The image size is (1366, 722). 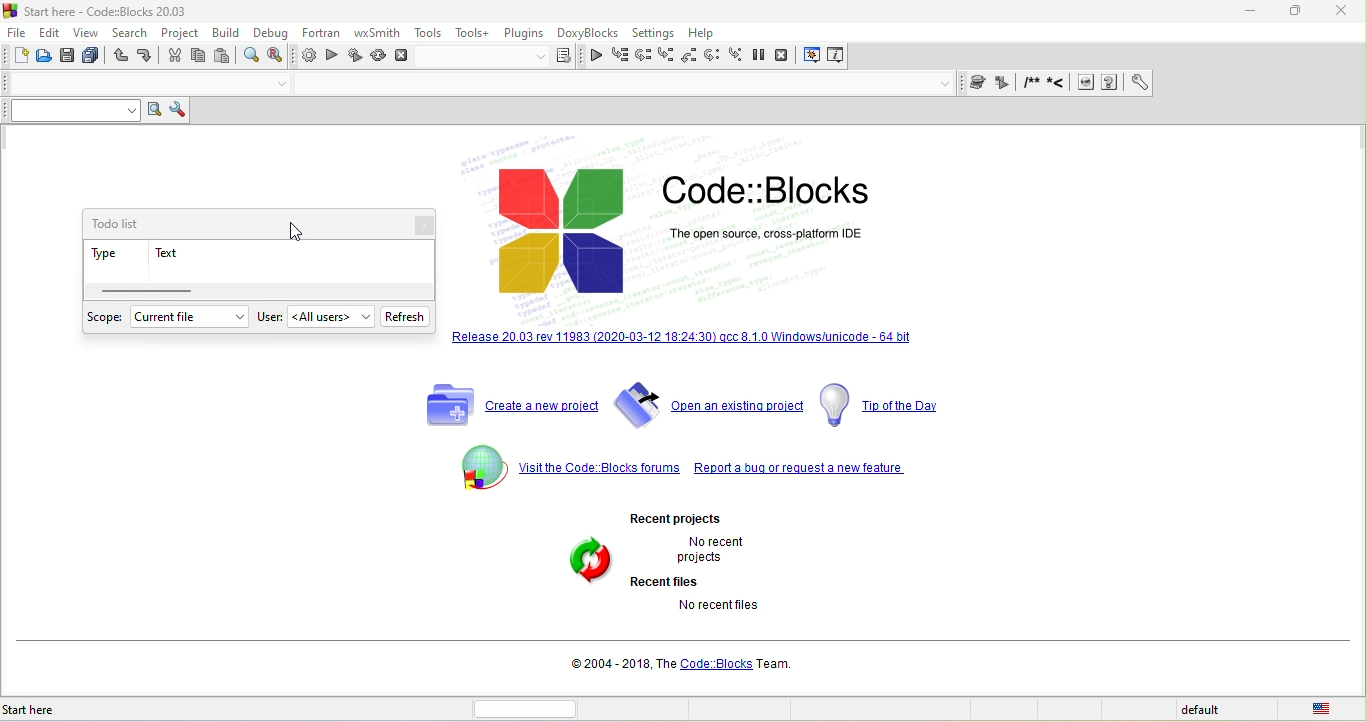 I want to click on cut, so click(x=172, y=58).